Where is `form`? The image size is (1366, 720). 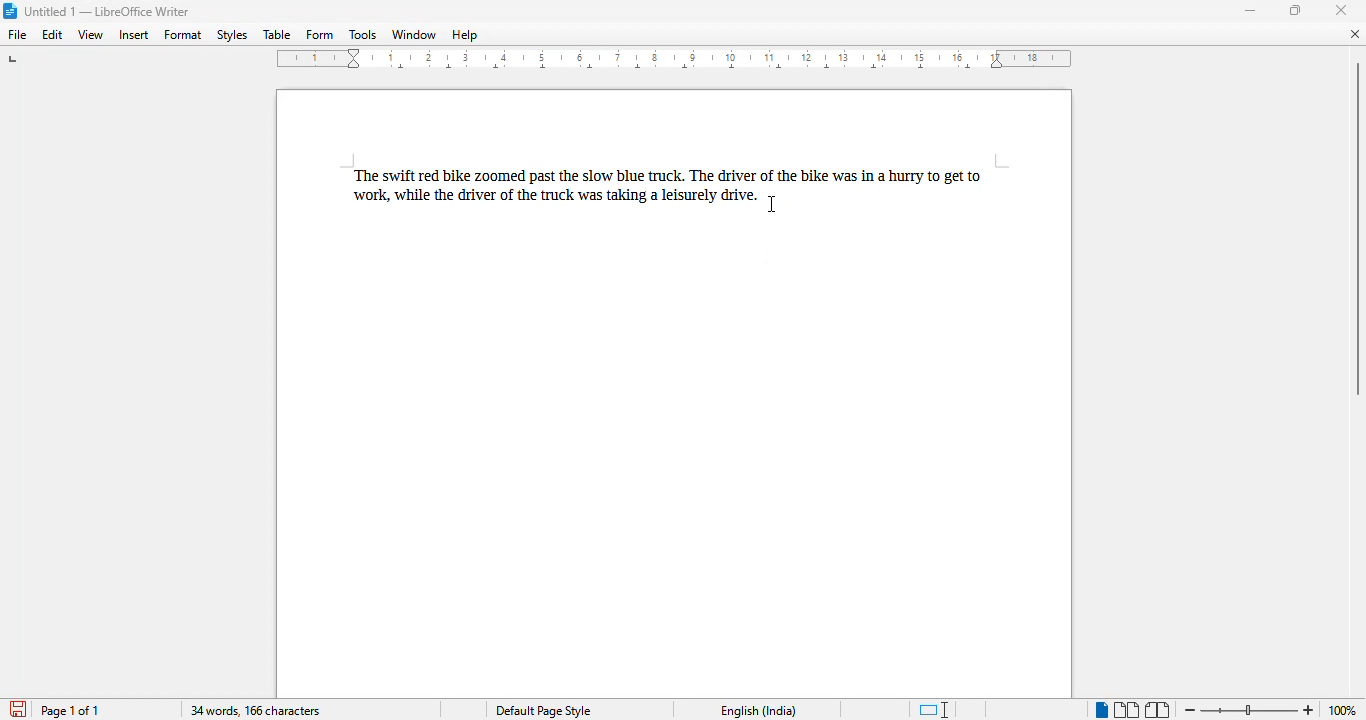
form is located at coordinates (320, 35).